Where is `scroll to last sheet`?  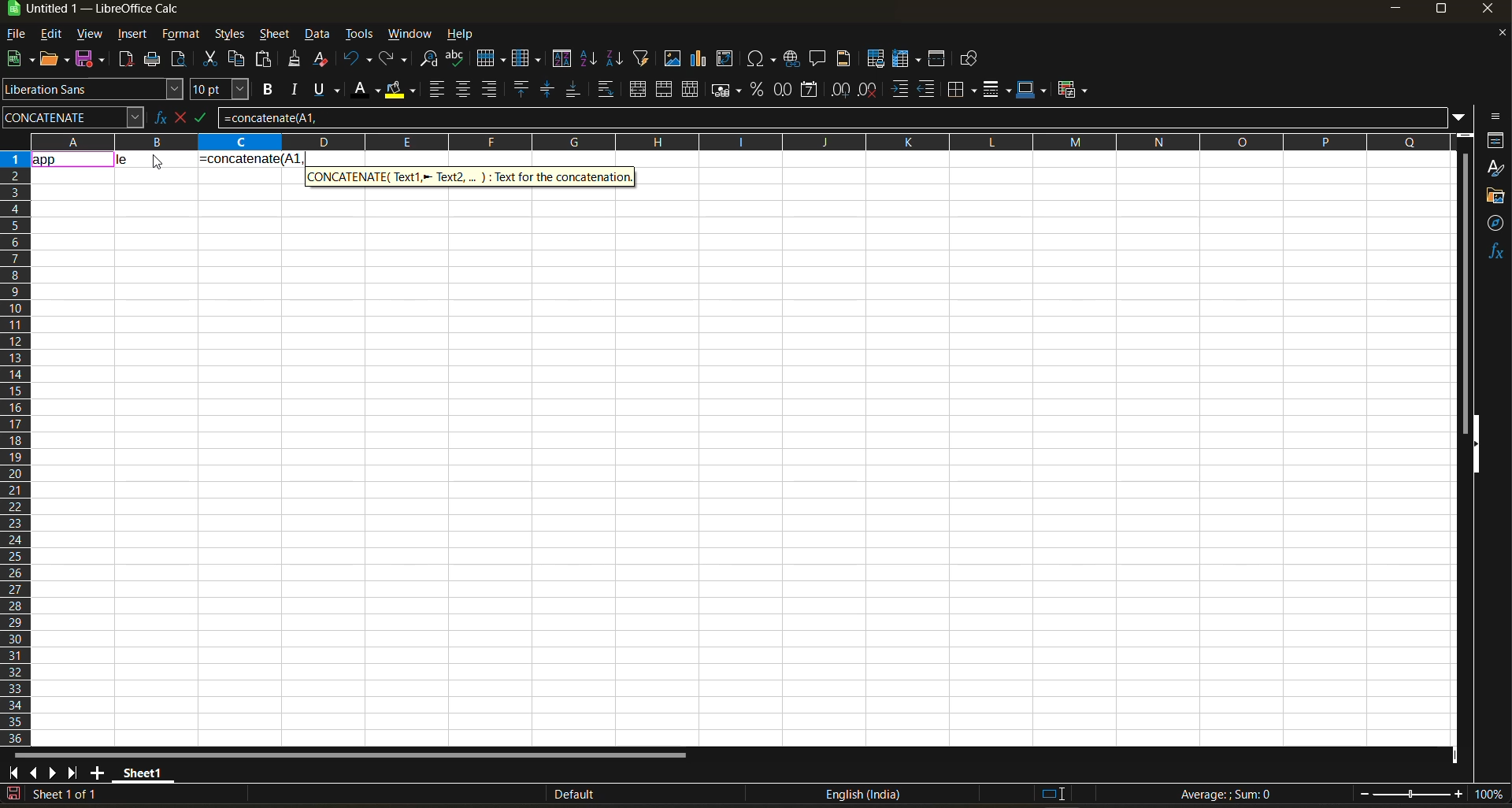 scroll to last sheet is located at coordinates (73, 773).